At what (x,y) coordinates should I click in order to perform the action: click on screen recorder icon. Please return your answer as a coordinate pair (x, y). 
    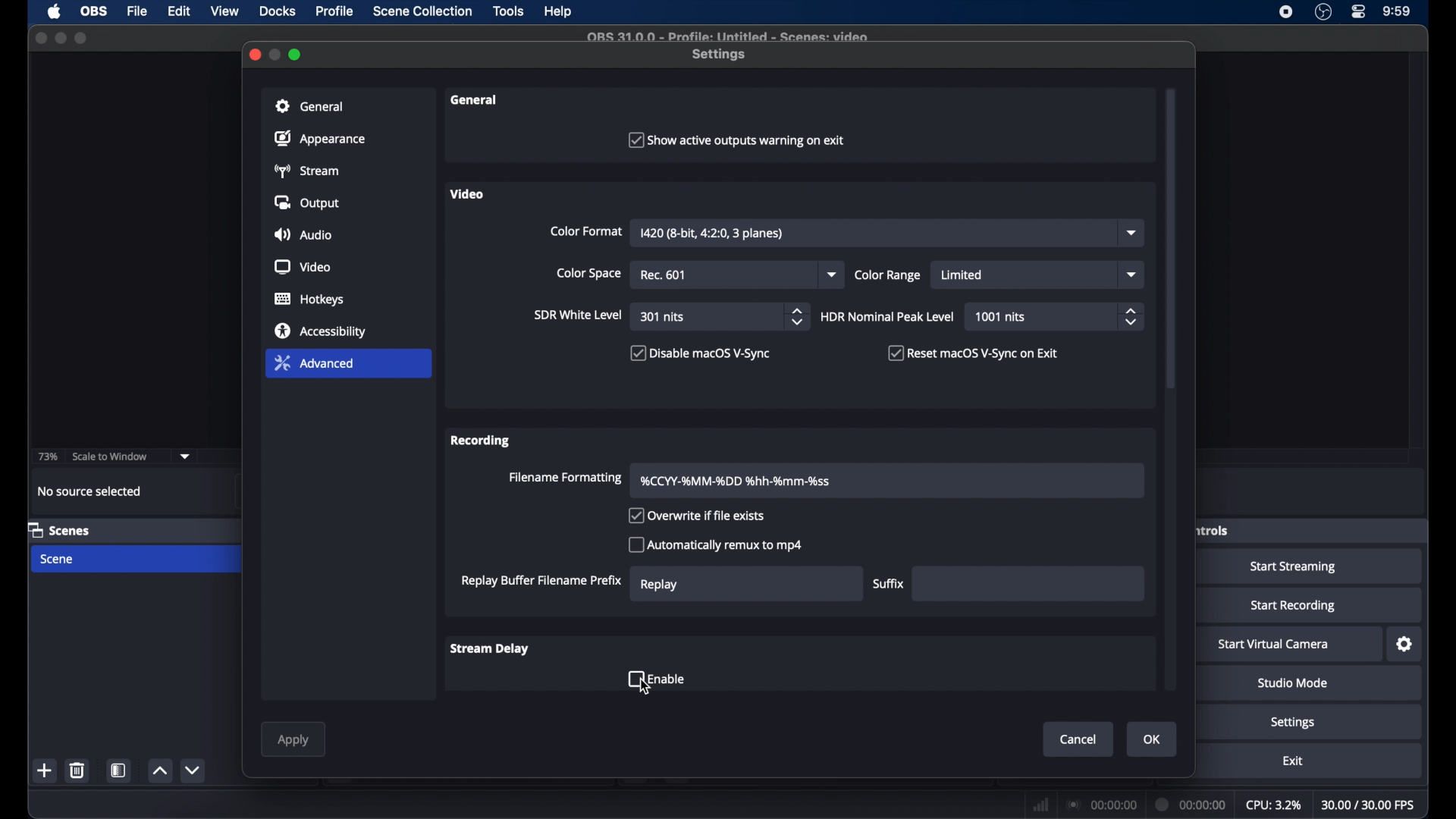
    Looking at the image, I should click on (1286, 12).